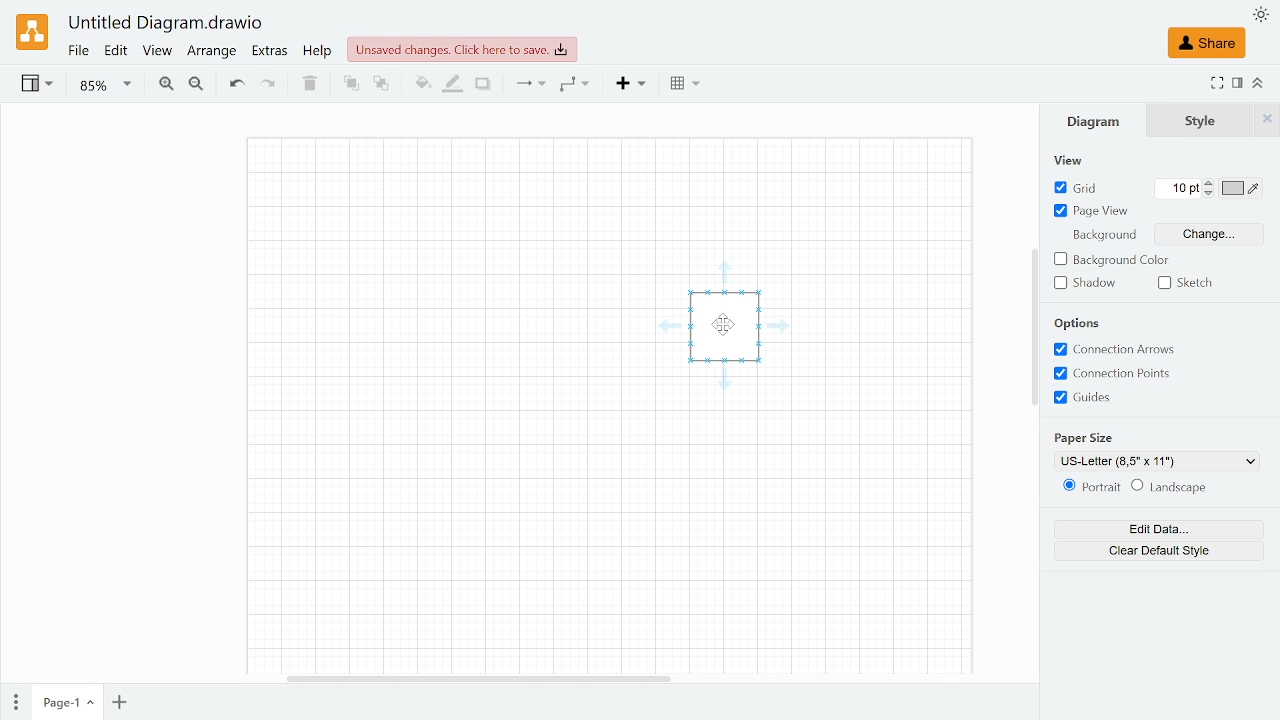 This screenshot has height=720, width=1280. What do you see at coordinates (1206, 43) in the screenshot?
I see `Share` at bounding box center [1206, 43].